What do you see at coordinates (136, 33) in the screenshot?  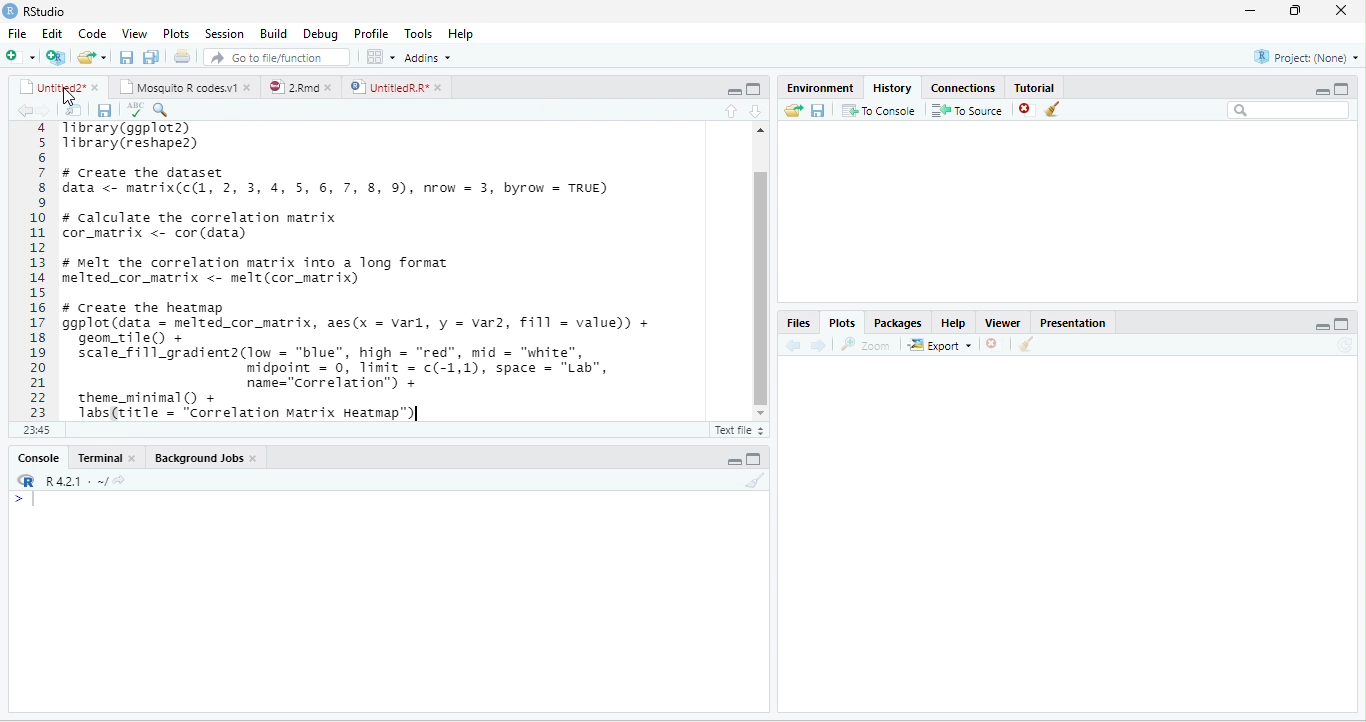 I see `view` at bounding box center [136, 33].